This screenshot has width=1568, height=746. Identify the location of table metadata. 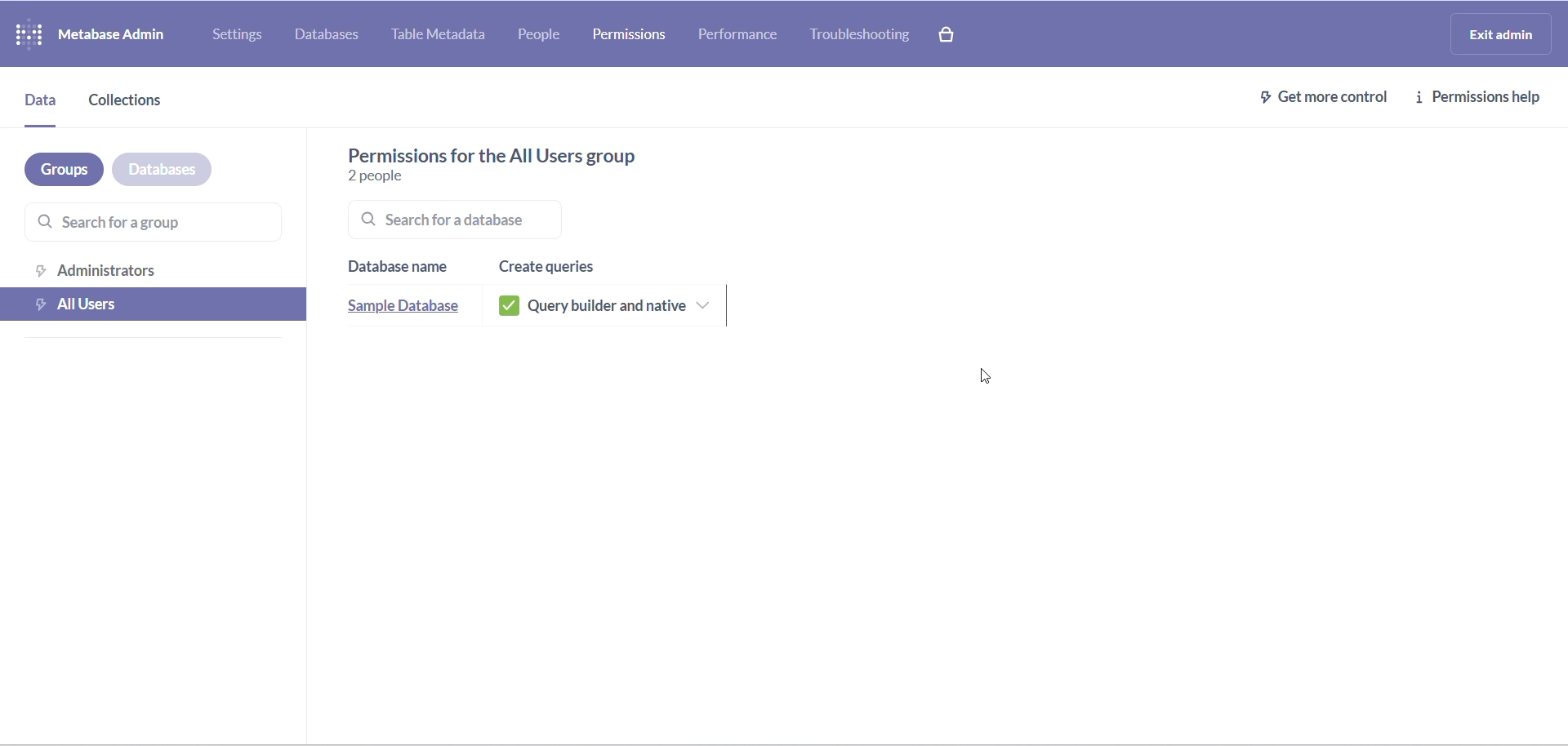
(445, 36).